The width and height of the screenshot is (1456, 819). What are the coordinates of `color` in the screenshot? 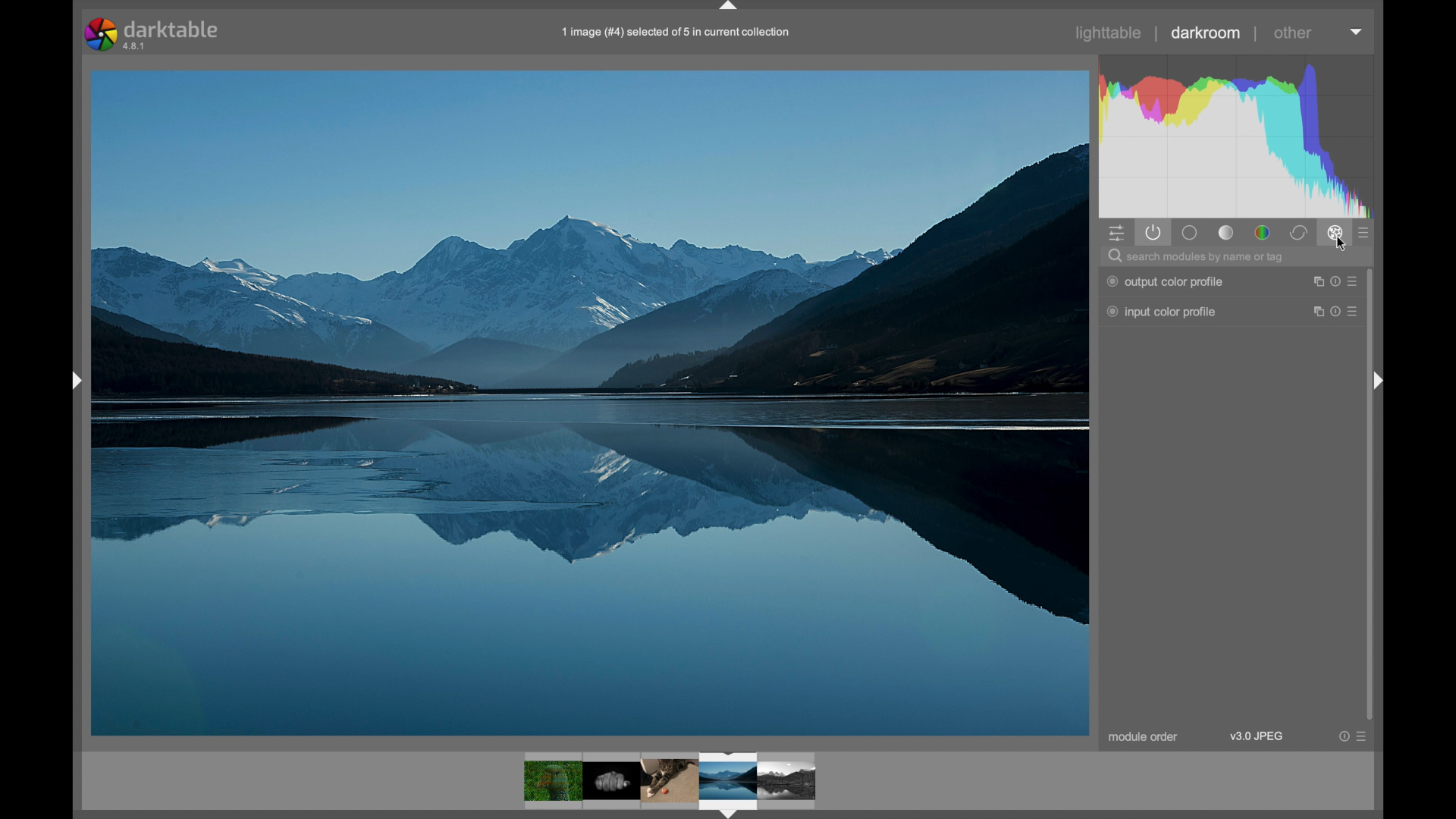 It's located at (1261, 232).